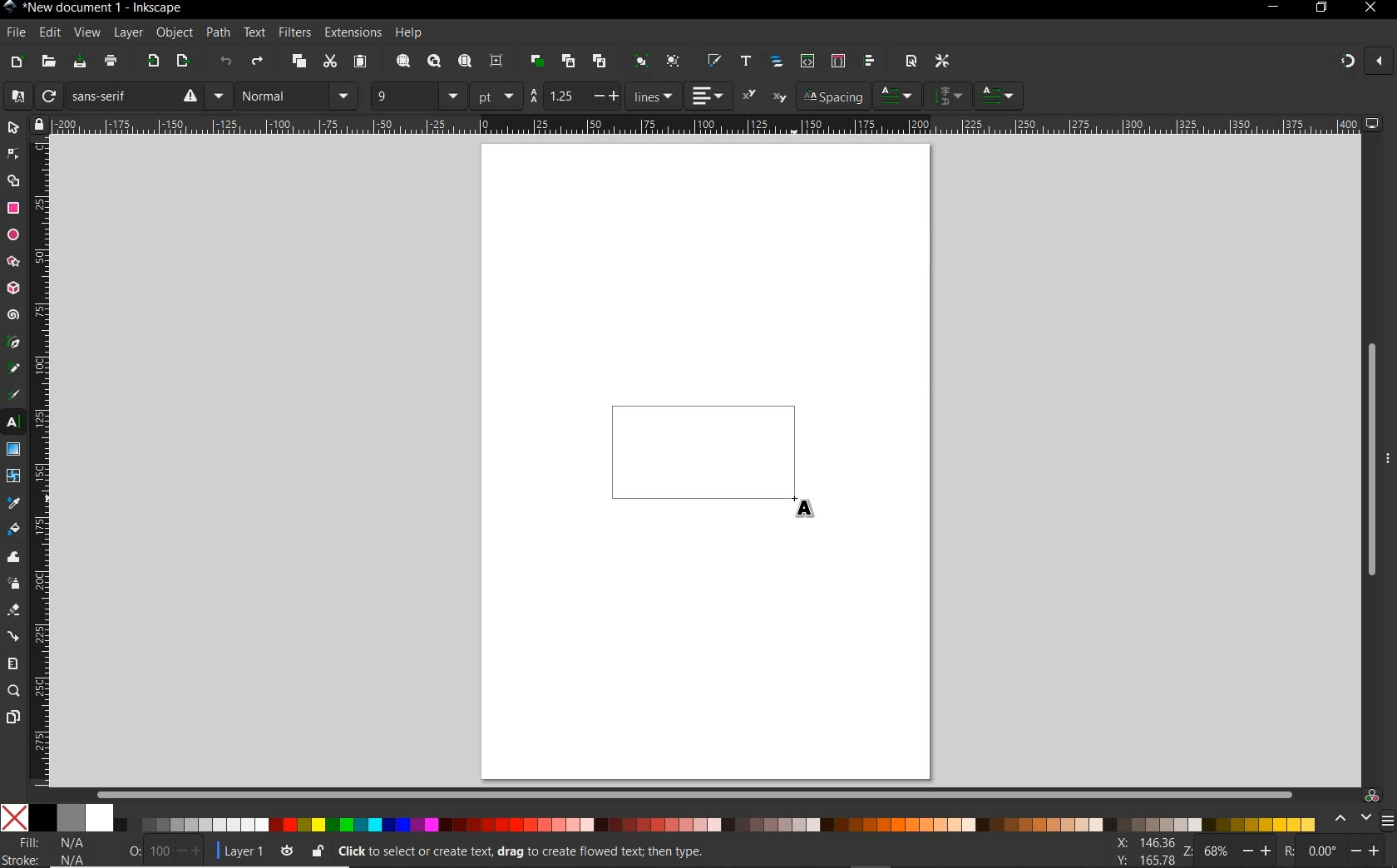 The height and width of the screenshot is (868, 1397). Describe the element at coordinates (294, 32) in the screenshot. I see `filters` at that location.